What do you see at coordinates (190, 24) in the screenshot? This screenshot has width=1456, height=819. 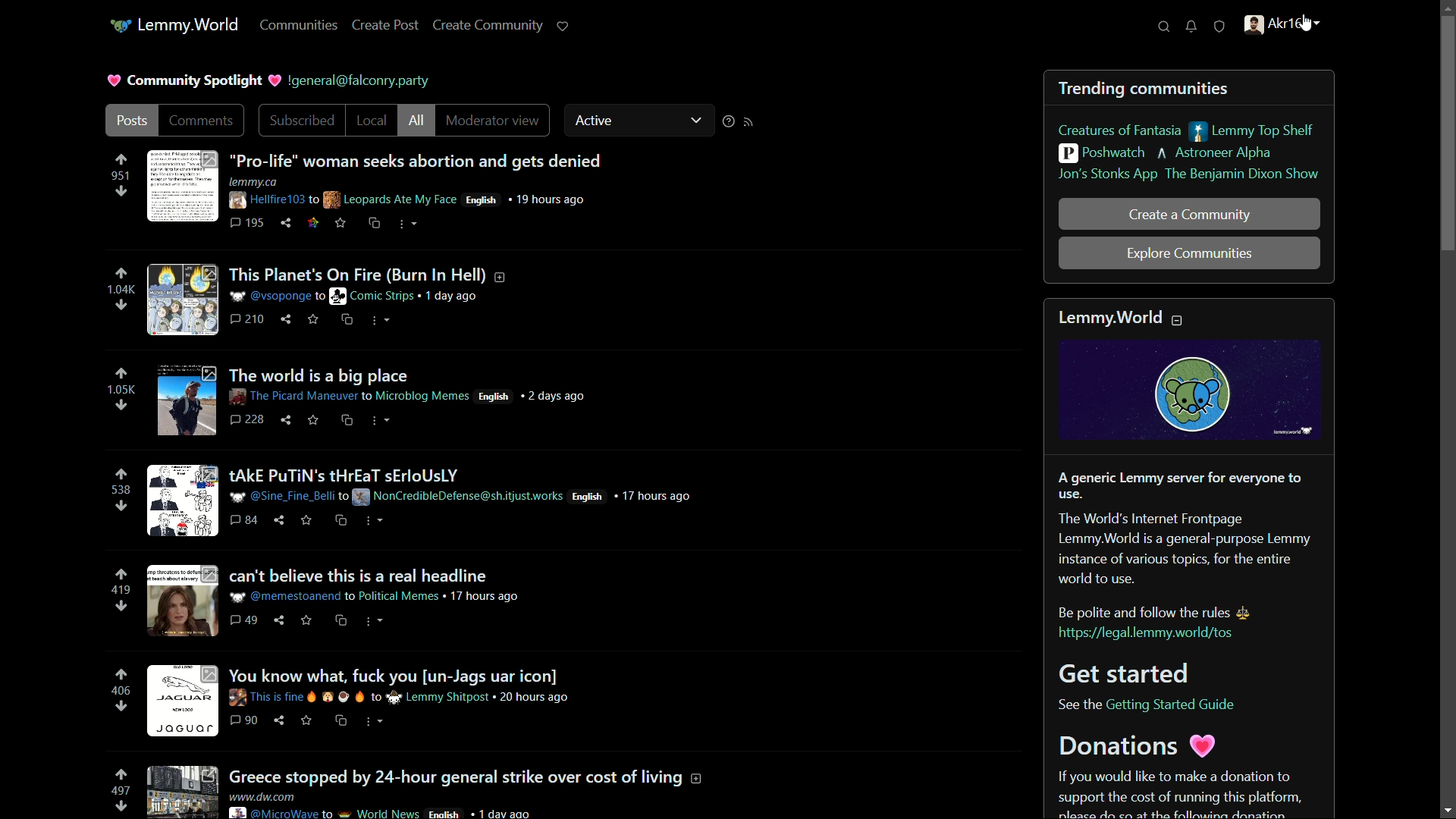 I see `lemmy.world` at bounding box center [190, 24].